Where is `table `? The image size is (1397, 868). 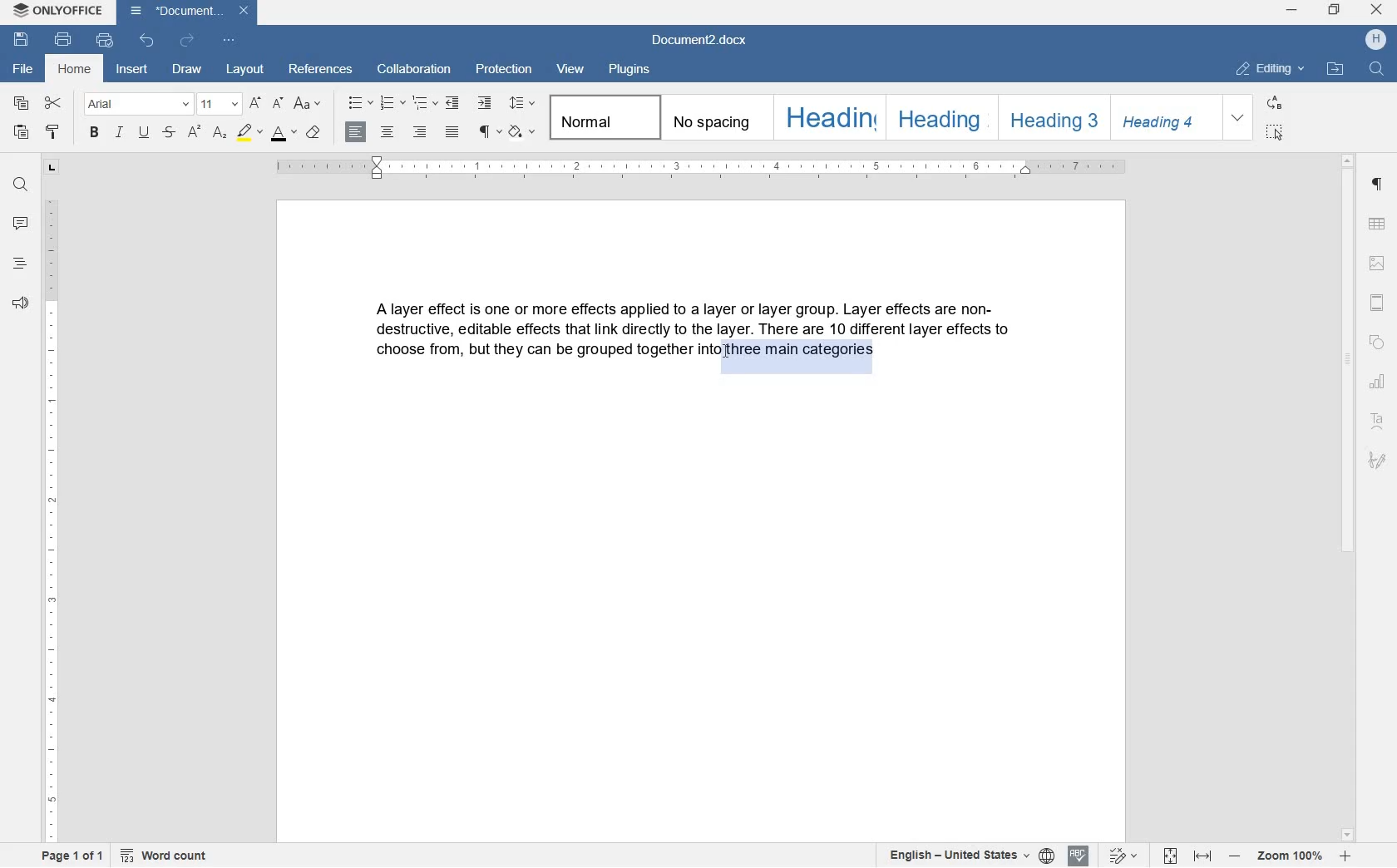 table  is located at coordinates (1380, 224).